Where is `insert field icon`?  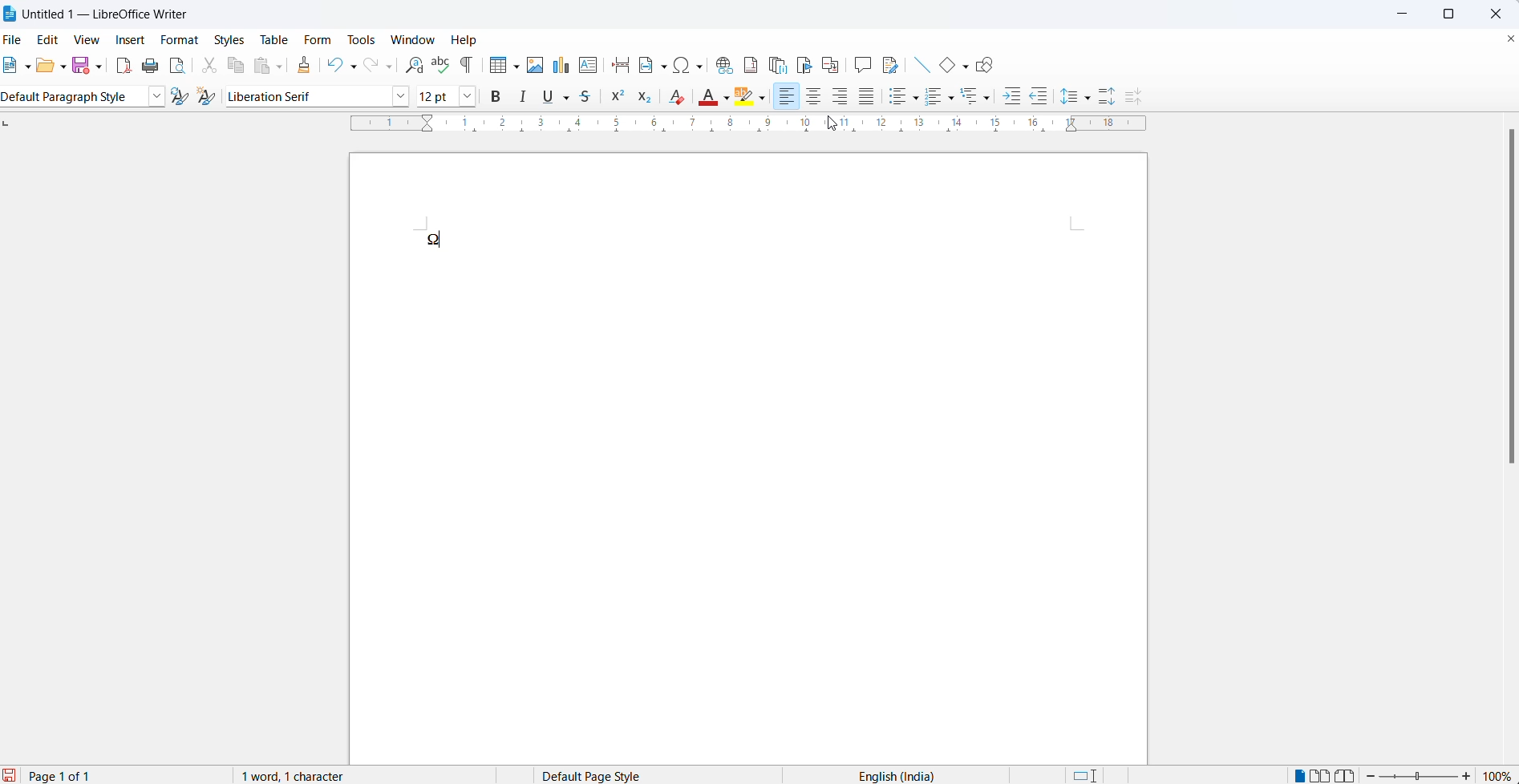 insert field icon is located at coordinates (642, 66).